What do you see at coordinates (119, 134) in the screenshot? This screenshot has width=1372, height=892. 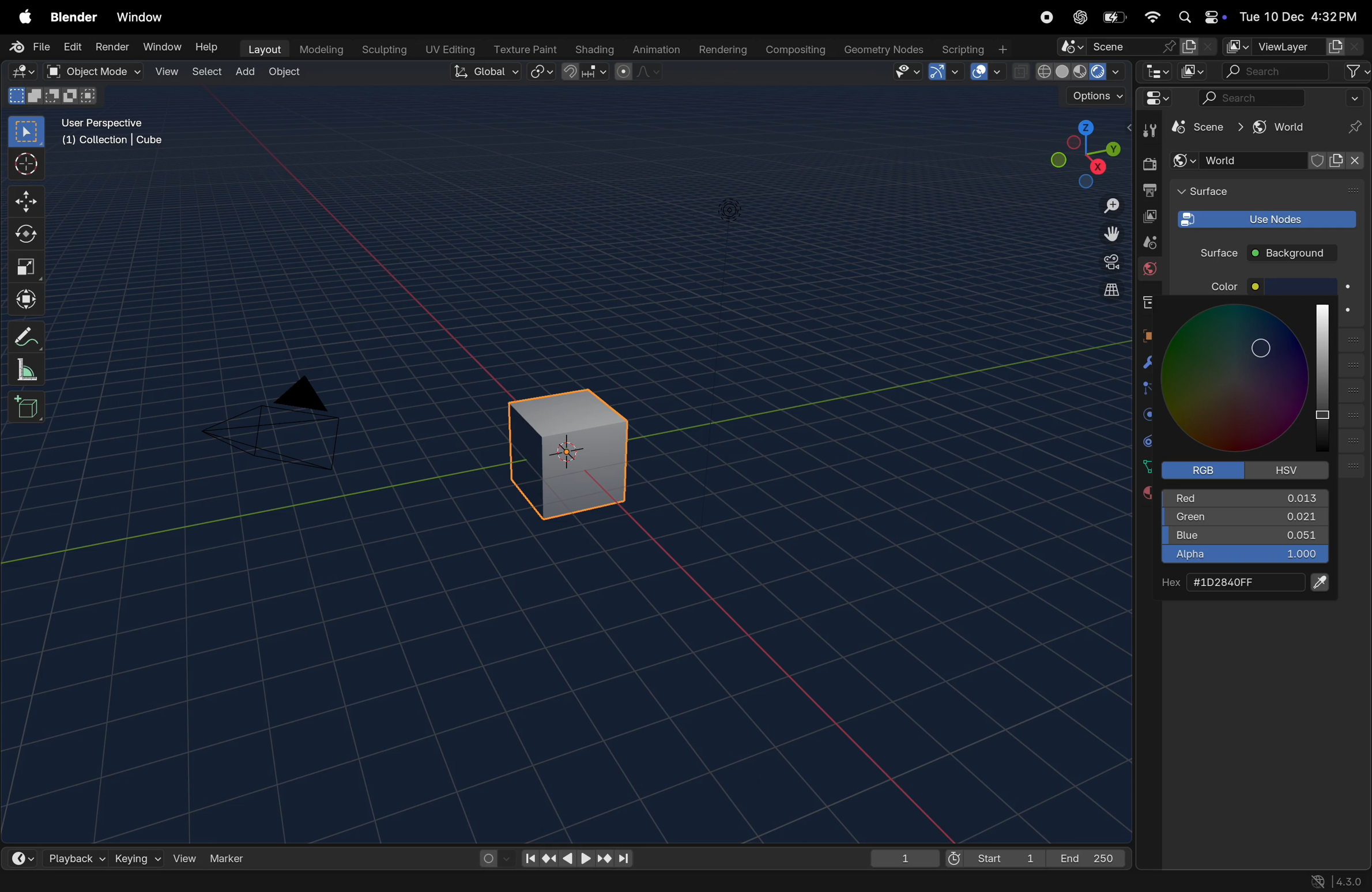 I see `user perspective` at bounding box center [119, 134].